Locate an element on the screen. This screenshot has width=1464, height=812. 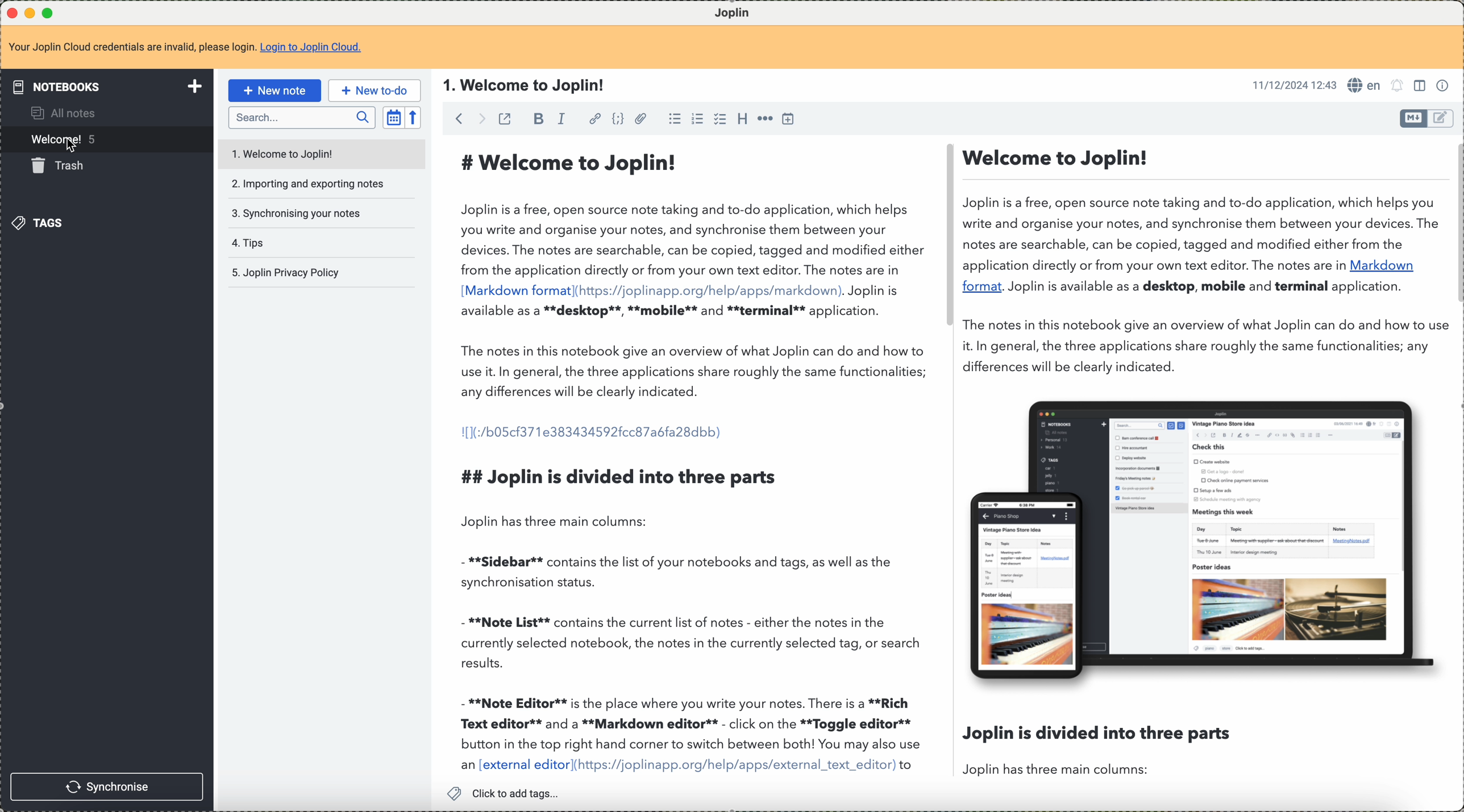
note properties is located at coordinates (1444, 86).